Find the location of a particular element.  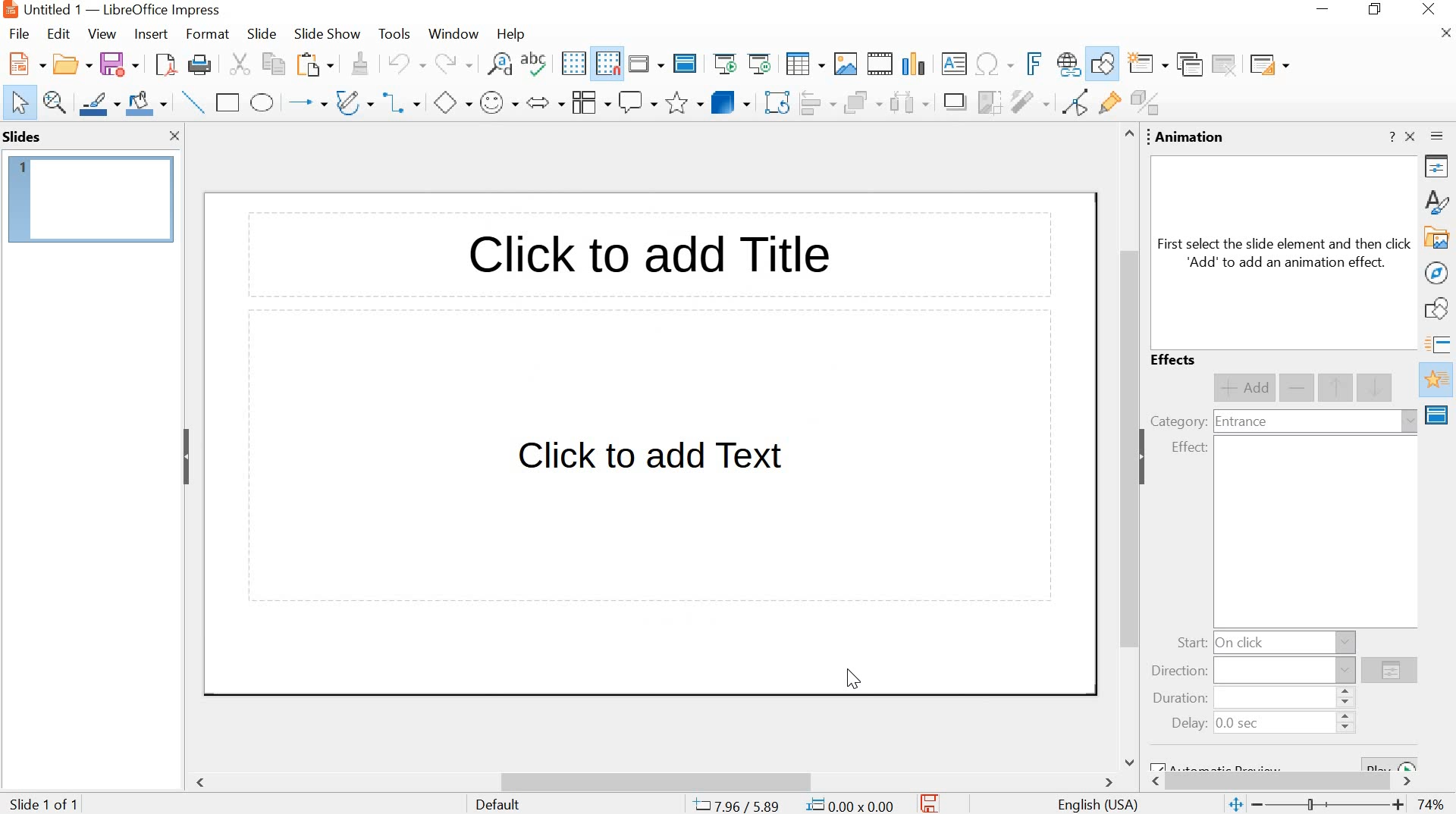

format menu is located at coordinates (206, 34).